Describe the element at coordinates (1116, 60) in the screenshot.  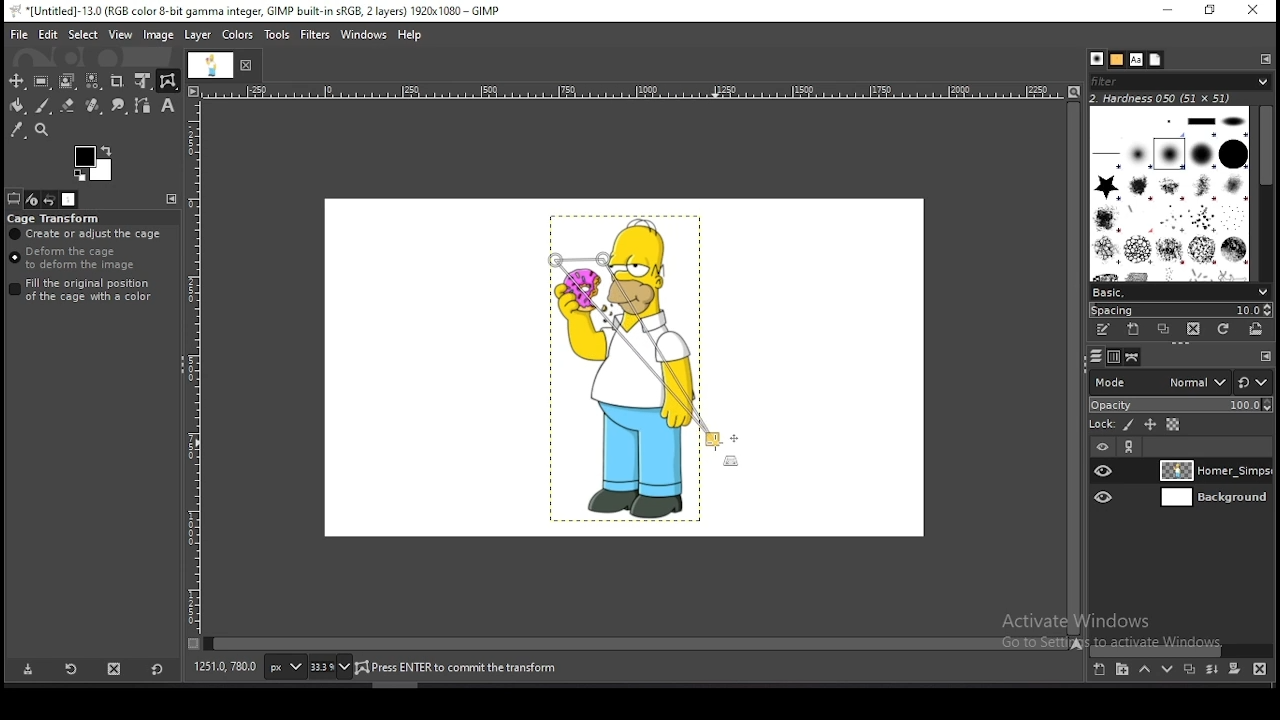
I see `patterns` at that location.